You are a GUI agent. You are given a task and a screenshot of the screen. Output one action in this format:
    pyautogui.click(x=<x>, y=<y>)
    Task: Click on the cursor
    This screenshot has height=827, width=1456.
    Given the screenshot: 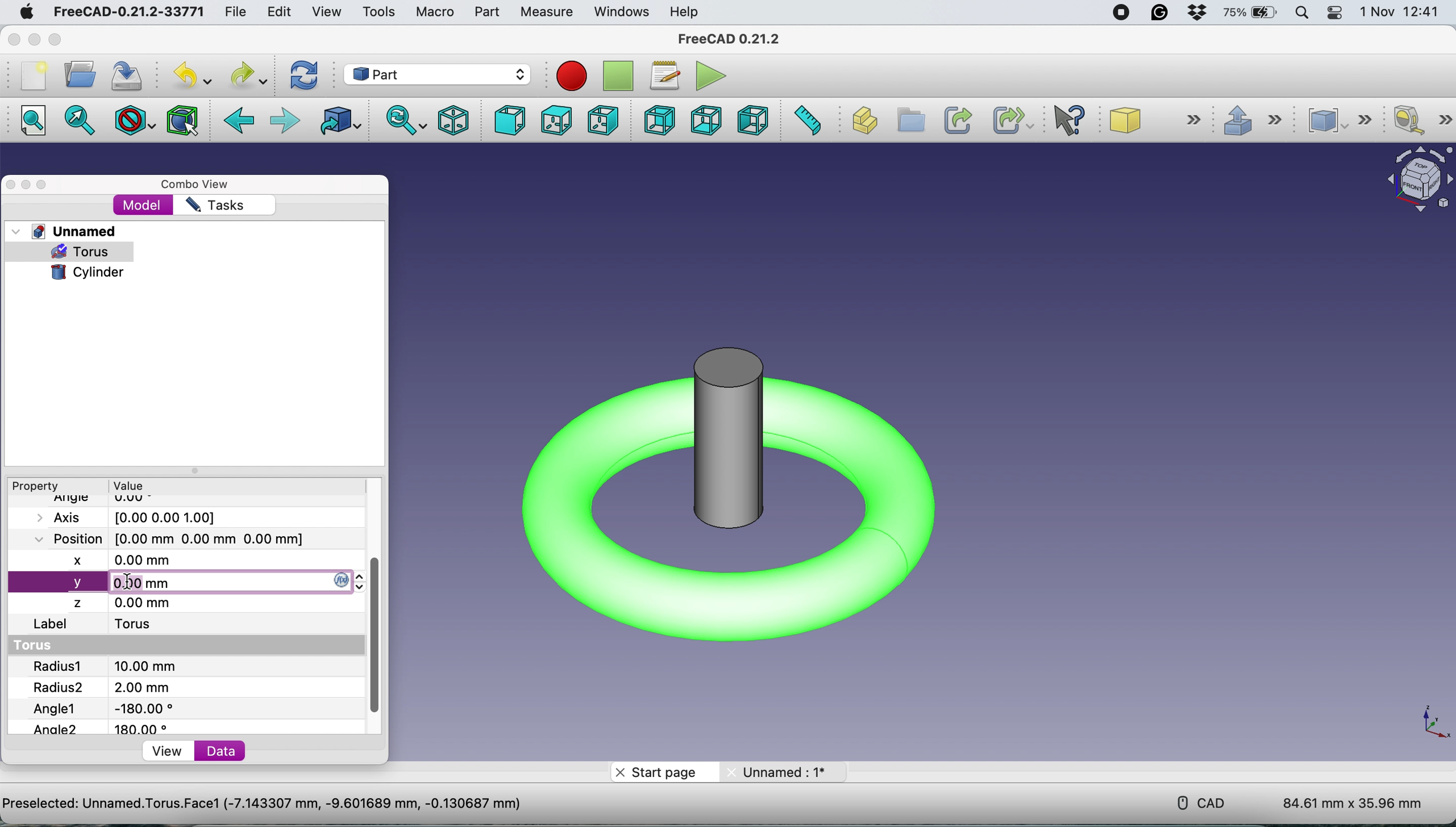 What is the action you would take?
    pyautogui.click(x=131, y=587)
    